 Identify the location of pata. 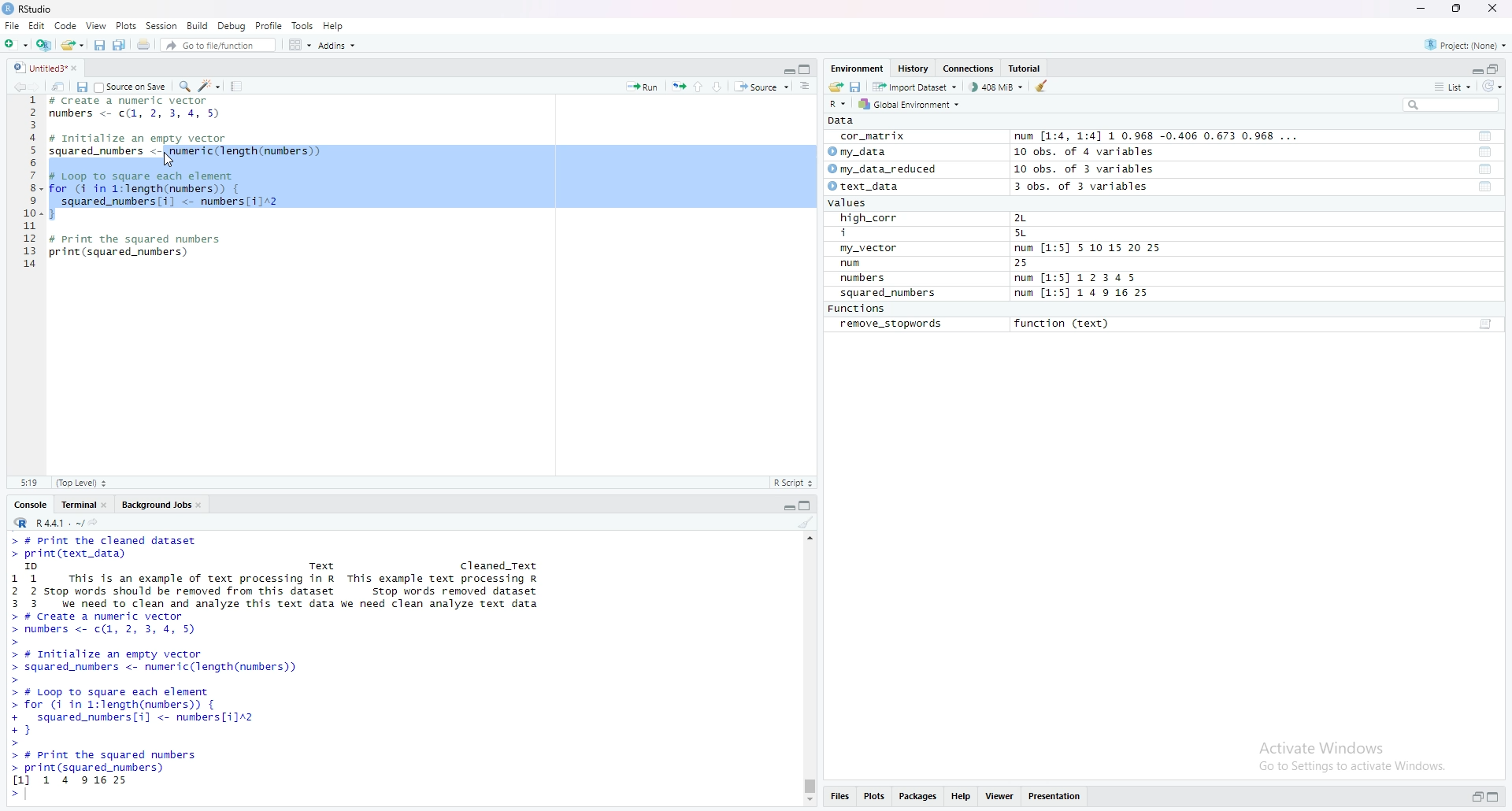
(845, 120).